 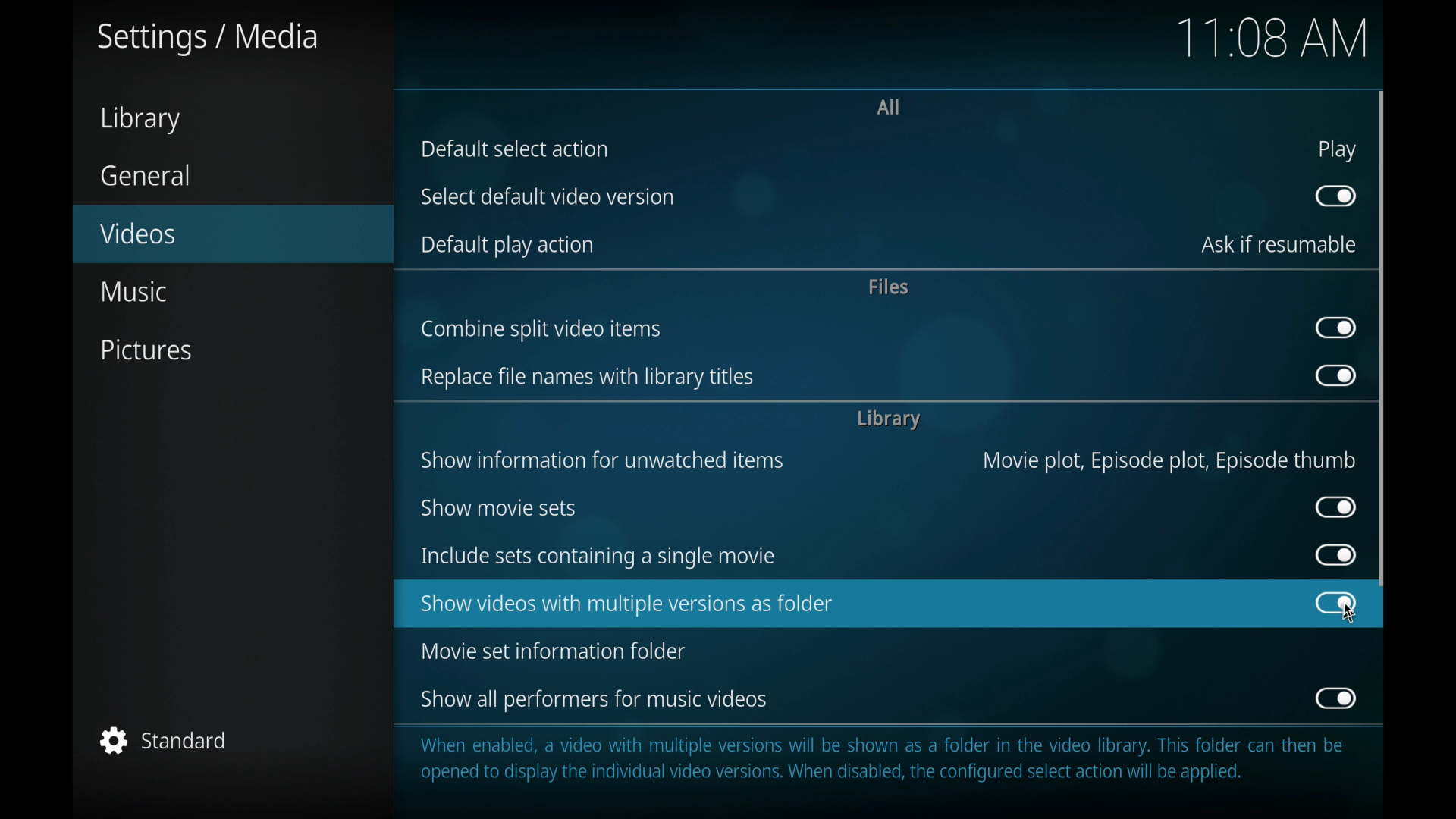 What do you see at coordinates (136, 291) in the screenshot?
I see `music` at bounding box center [136, 291].